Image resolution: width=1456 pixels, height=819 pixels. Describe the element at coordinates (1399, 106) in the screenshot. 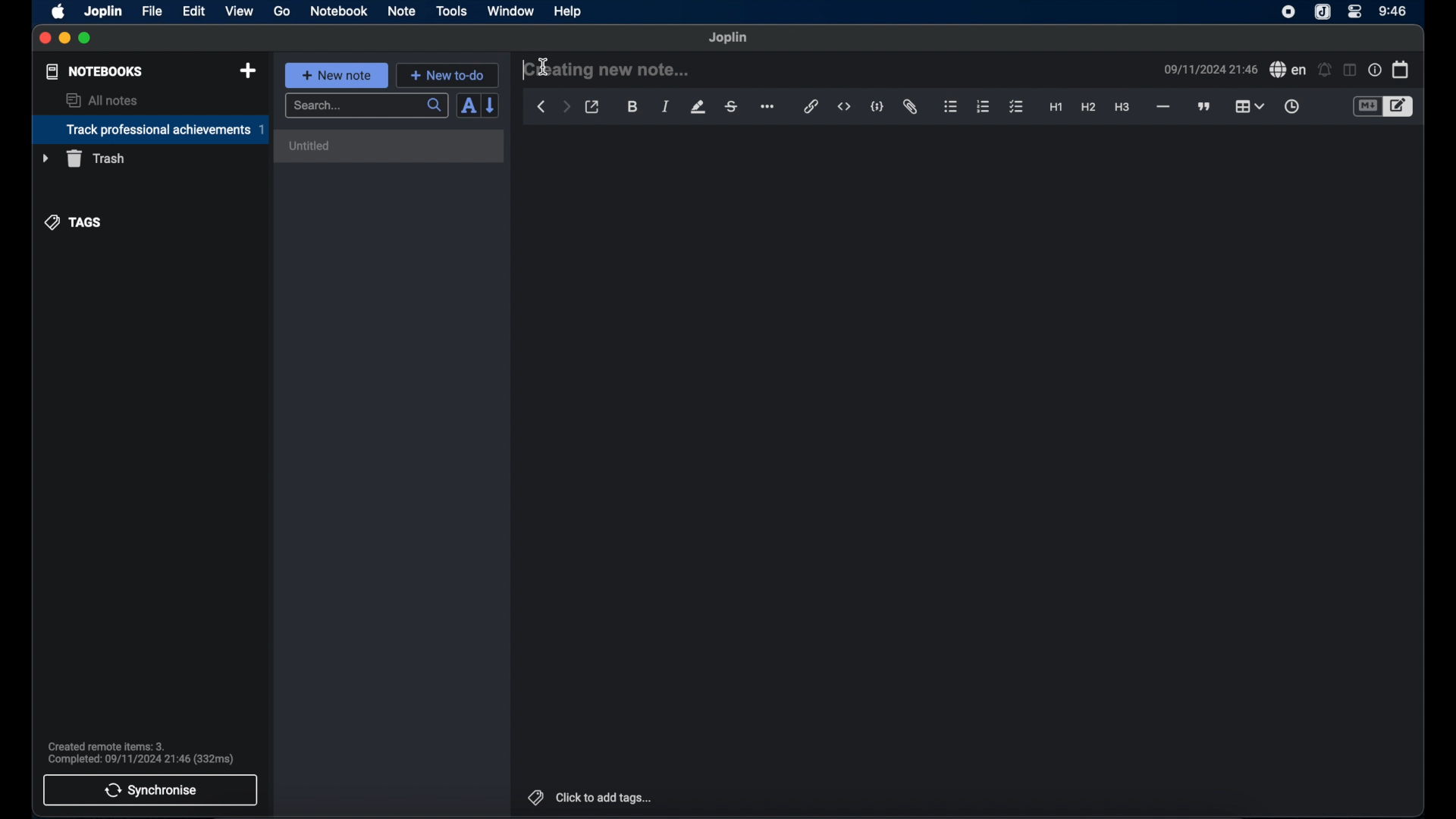

I see `toggle editor` at that location.